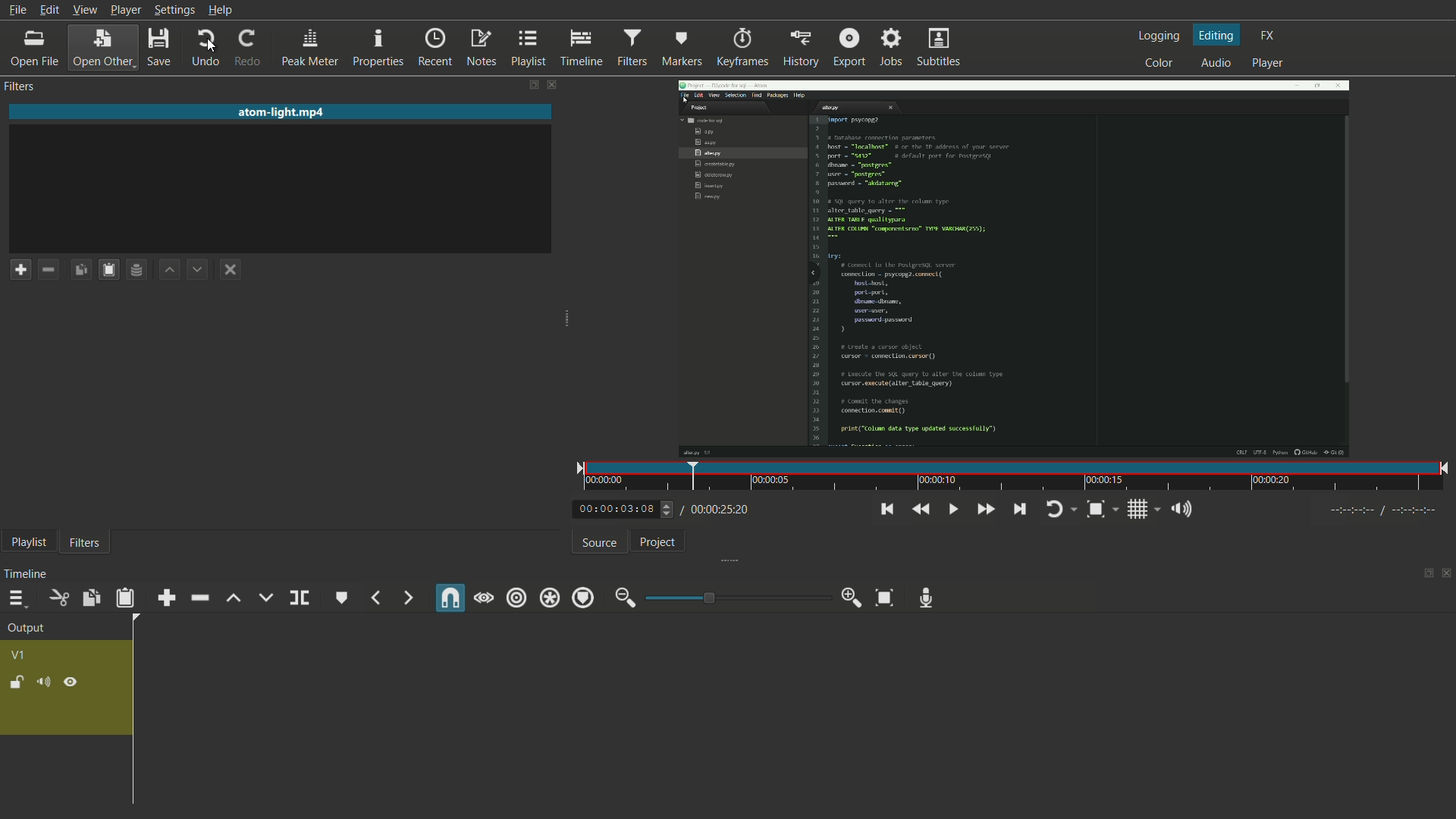  I want to click on change layout, so click(531, 81).